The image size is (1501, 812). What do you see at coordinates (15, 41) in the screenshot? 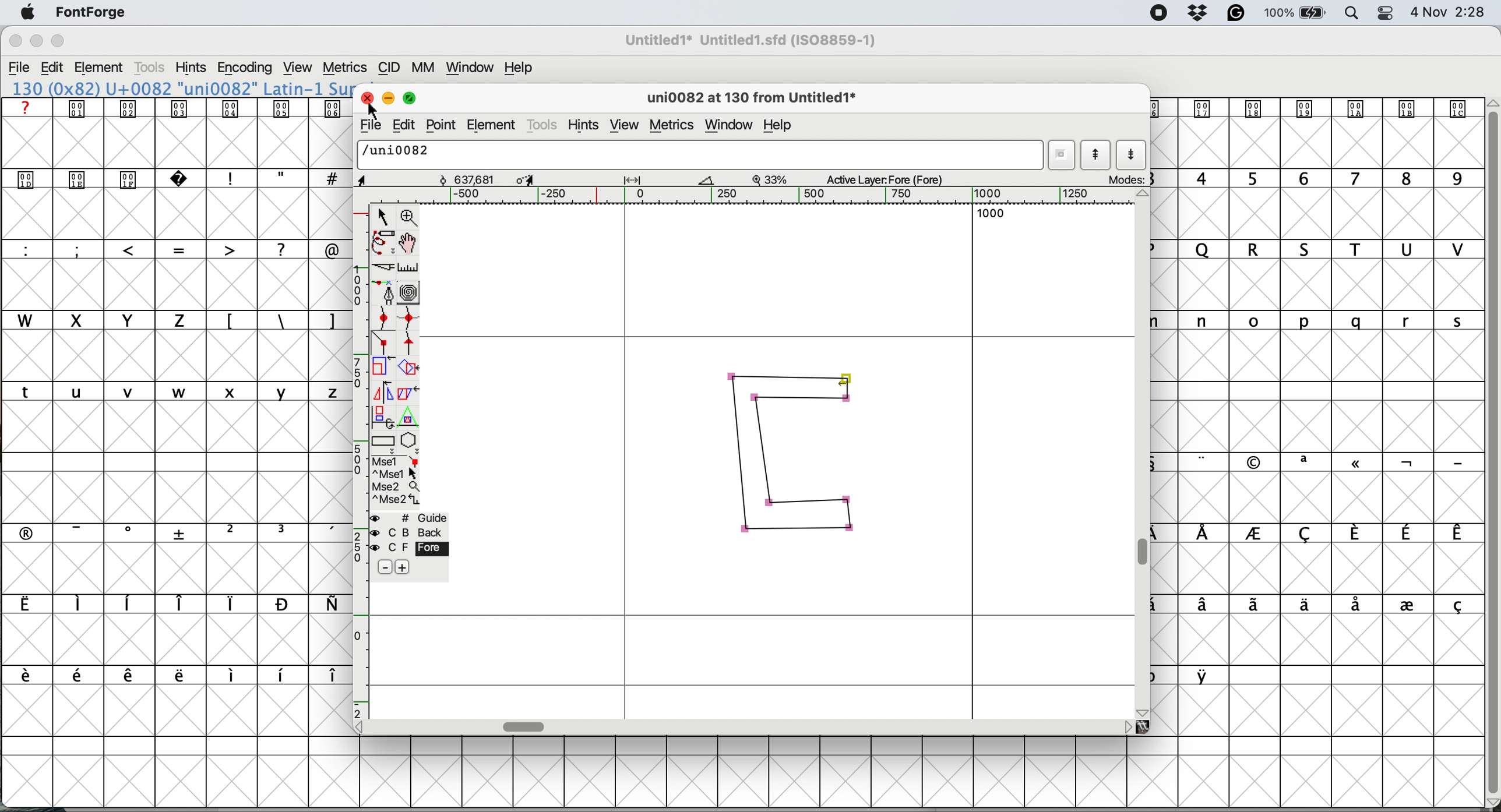
I see `close` at bounding box center [15, 41].